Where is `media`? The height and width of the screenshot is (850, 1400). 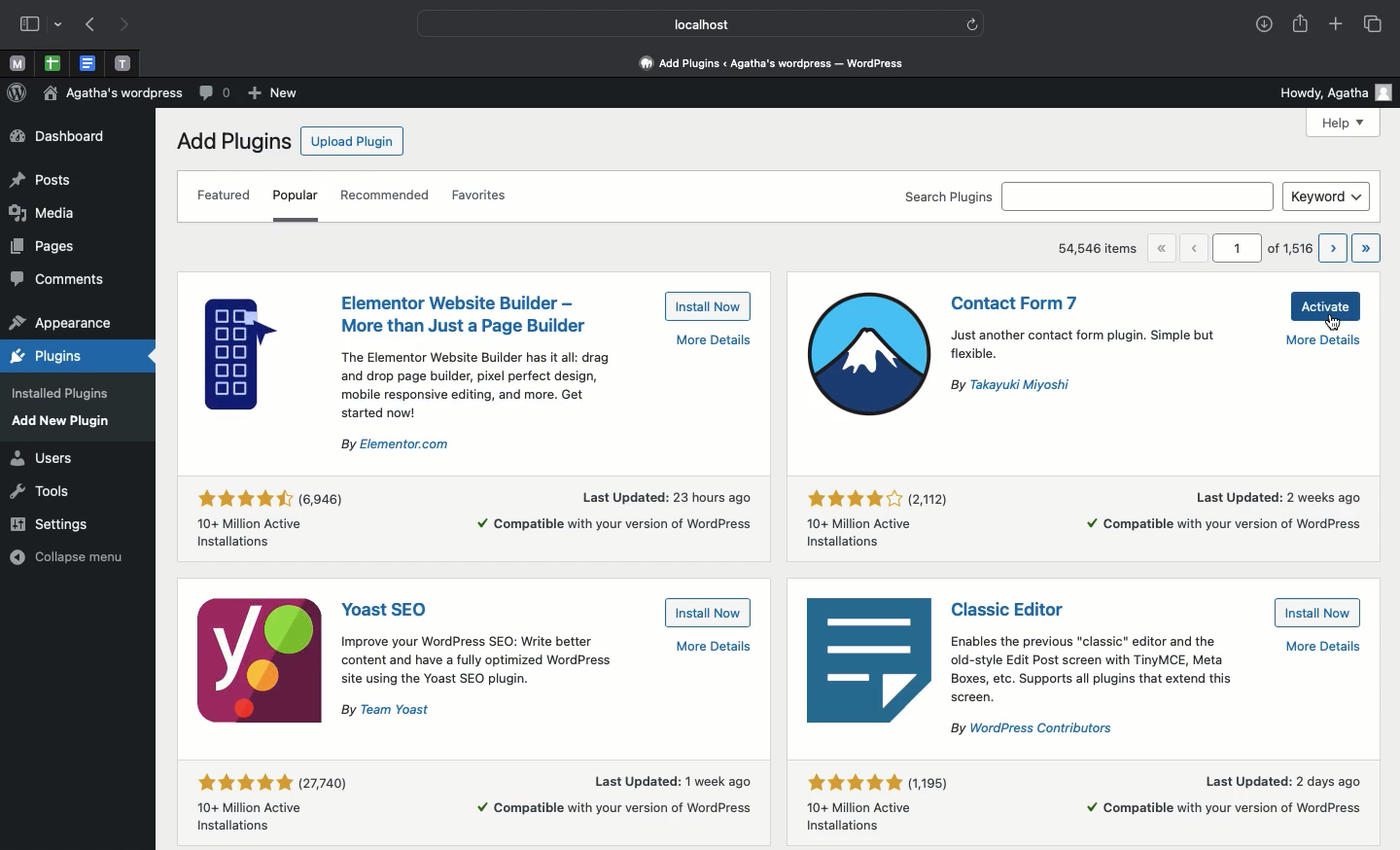 media is located at coordinates (44, 213).